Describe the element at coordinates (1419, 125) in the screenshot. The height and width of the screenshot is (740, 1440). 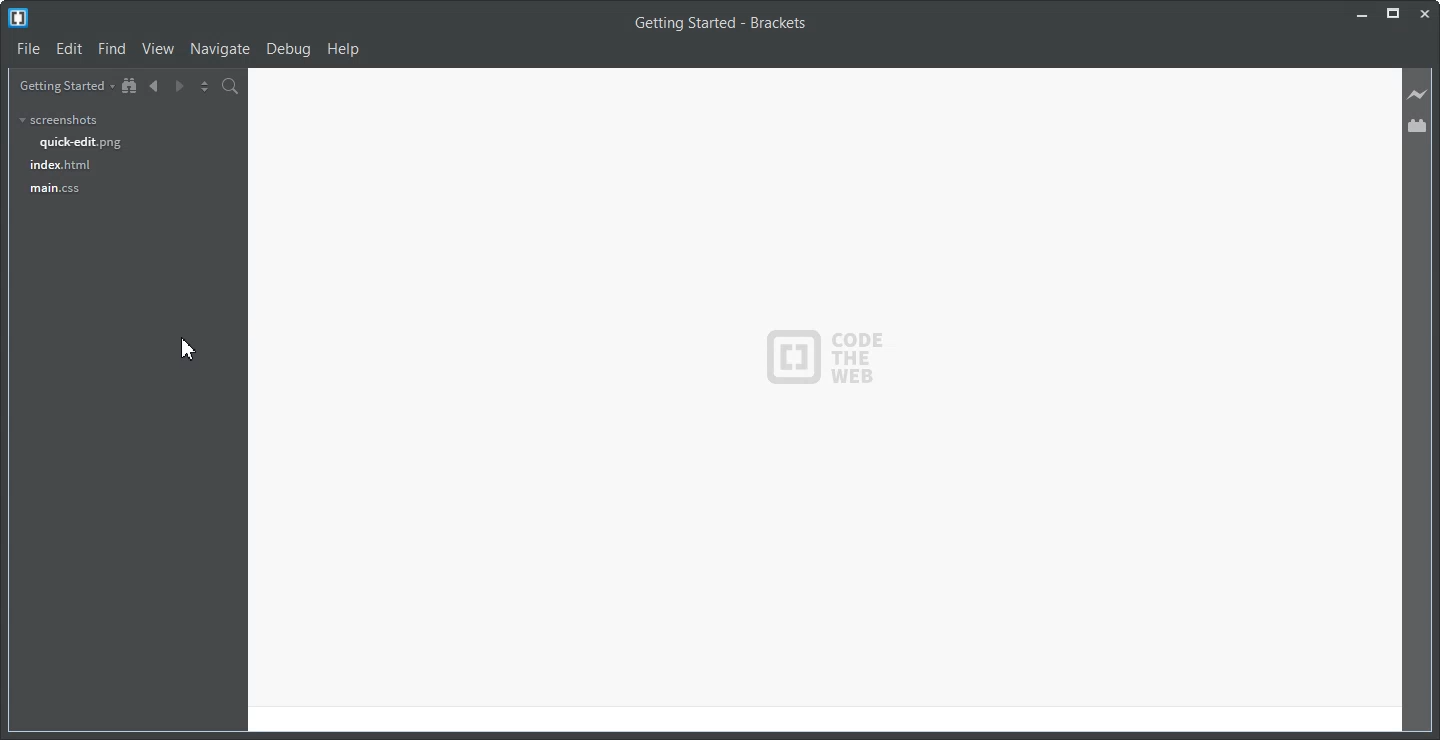
I see `Extension Manager` at that location.